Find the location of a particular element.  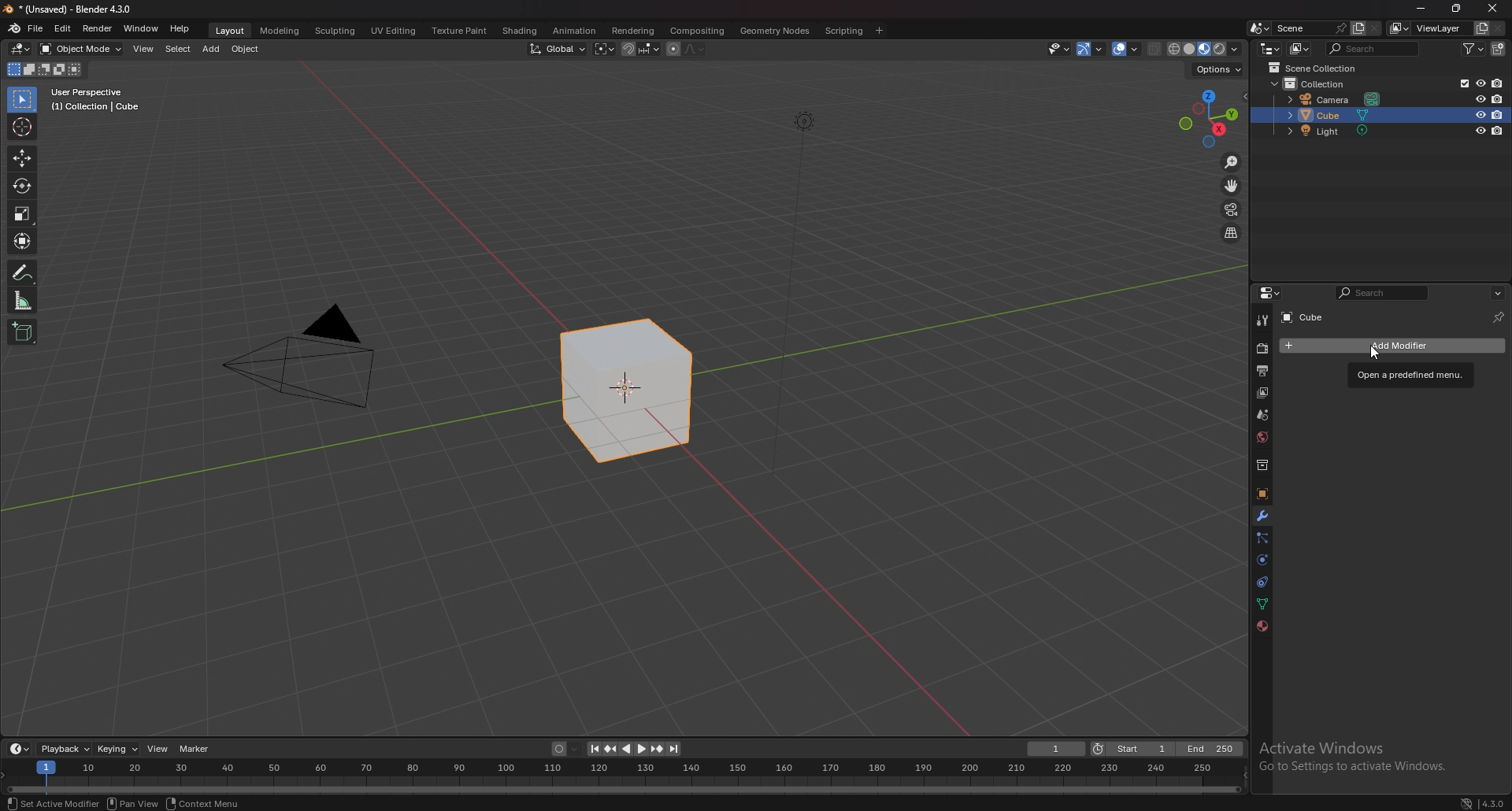

set active modifier is located at coordinates (53, 804).